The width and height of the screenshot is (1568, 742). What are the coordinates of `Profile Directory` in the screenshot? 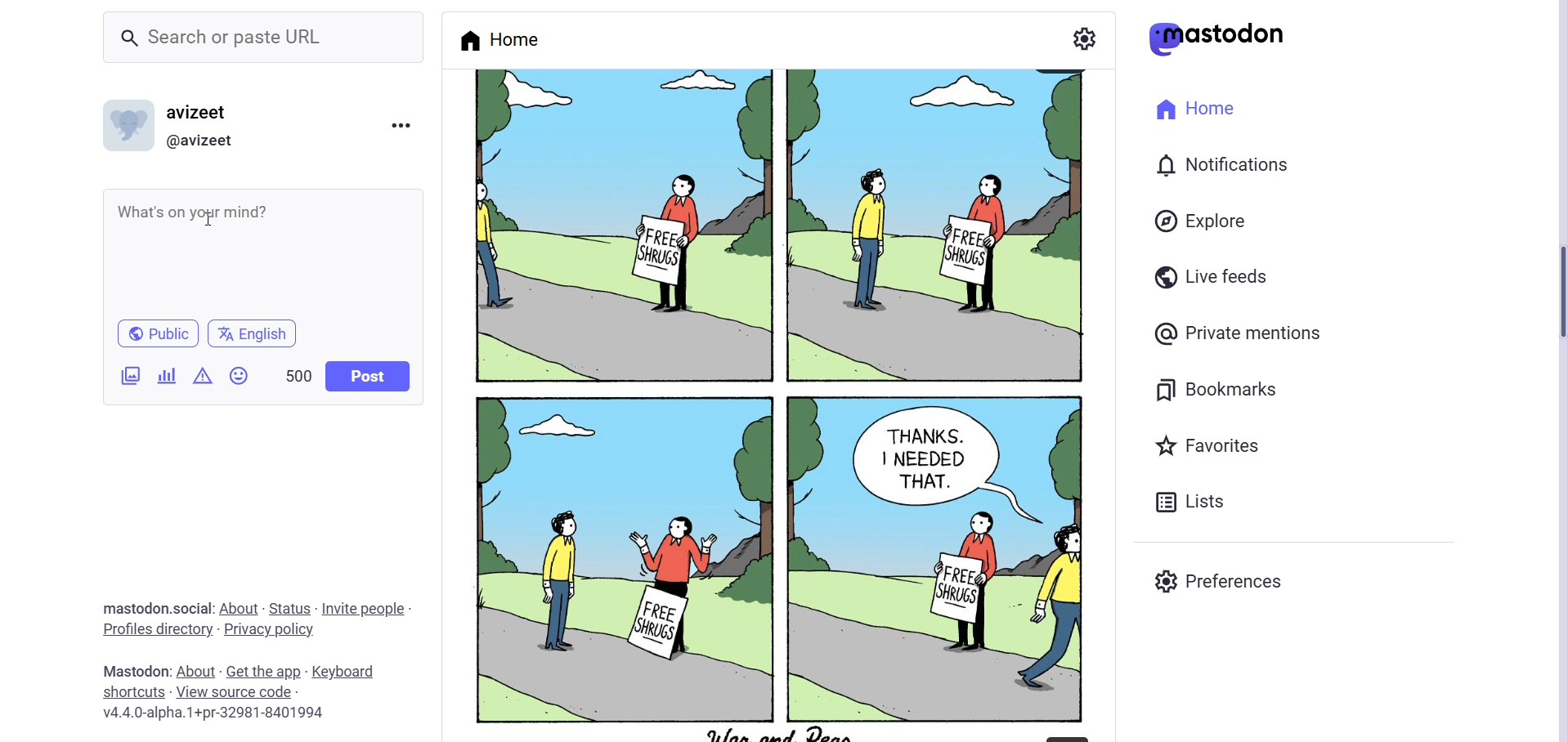 It's located at (155, 628).